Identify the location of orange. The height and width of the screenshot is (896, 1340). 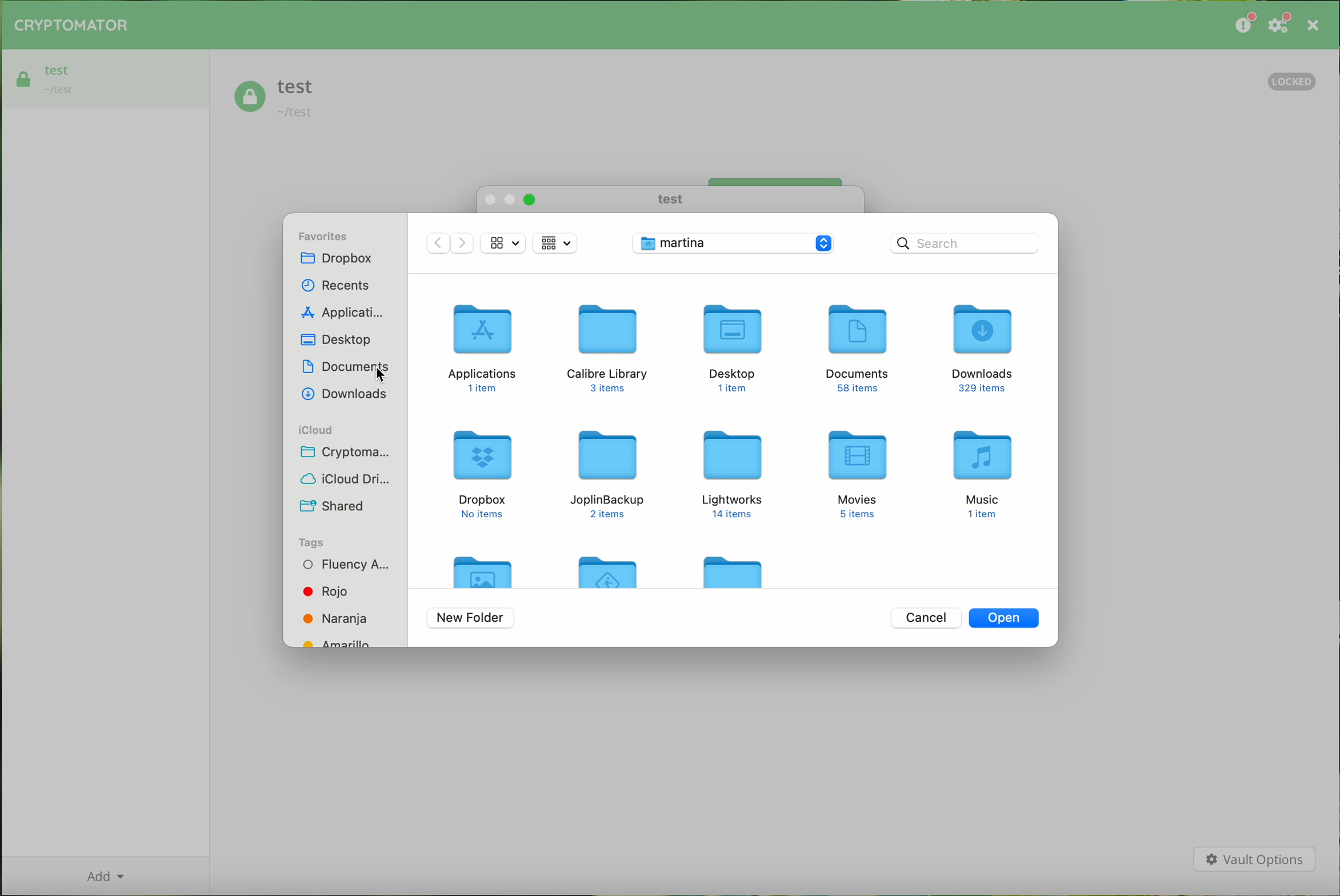
(336, 618).